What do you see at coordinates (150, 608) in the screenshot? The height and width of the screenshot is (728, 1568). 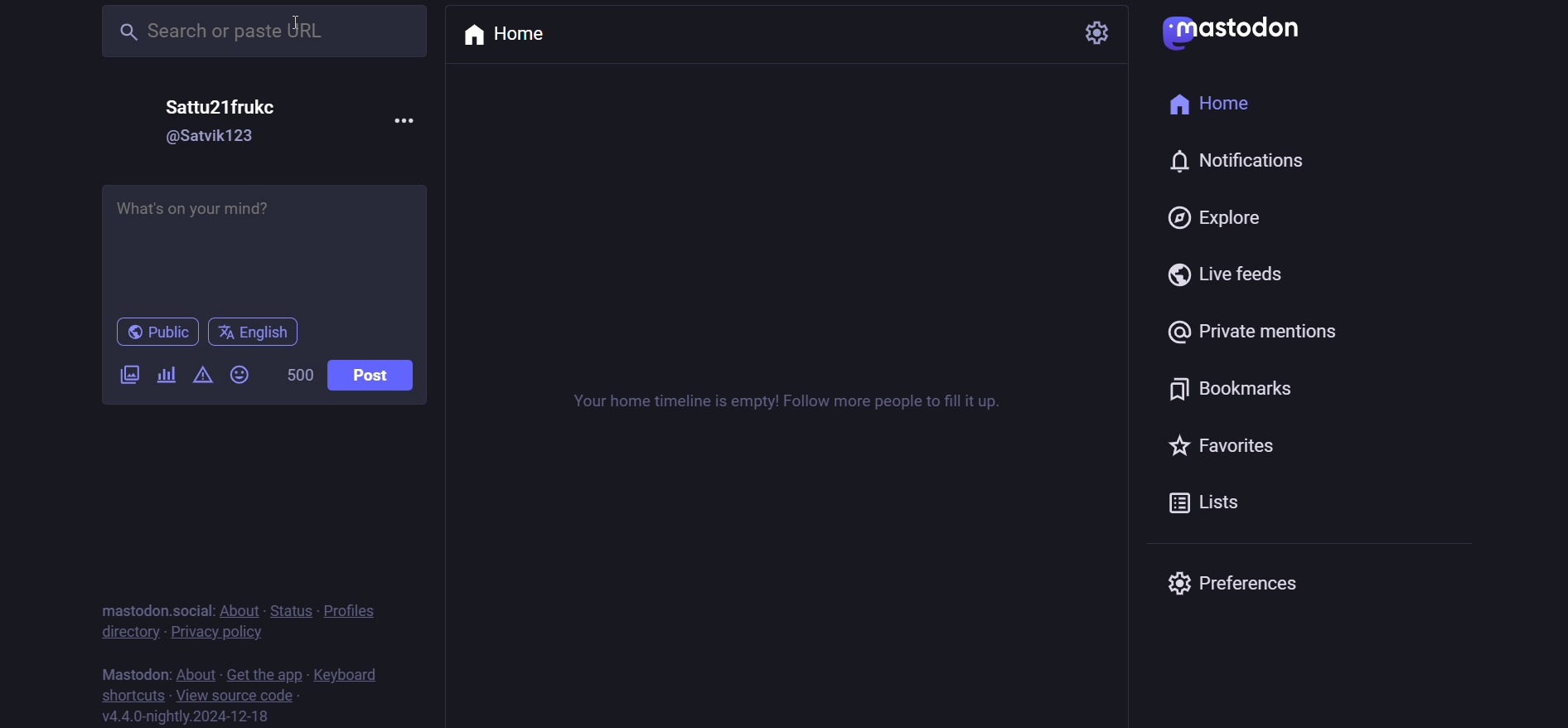 I see `mastodon social` at bounding box center [150, 608].